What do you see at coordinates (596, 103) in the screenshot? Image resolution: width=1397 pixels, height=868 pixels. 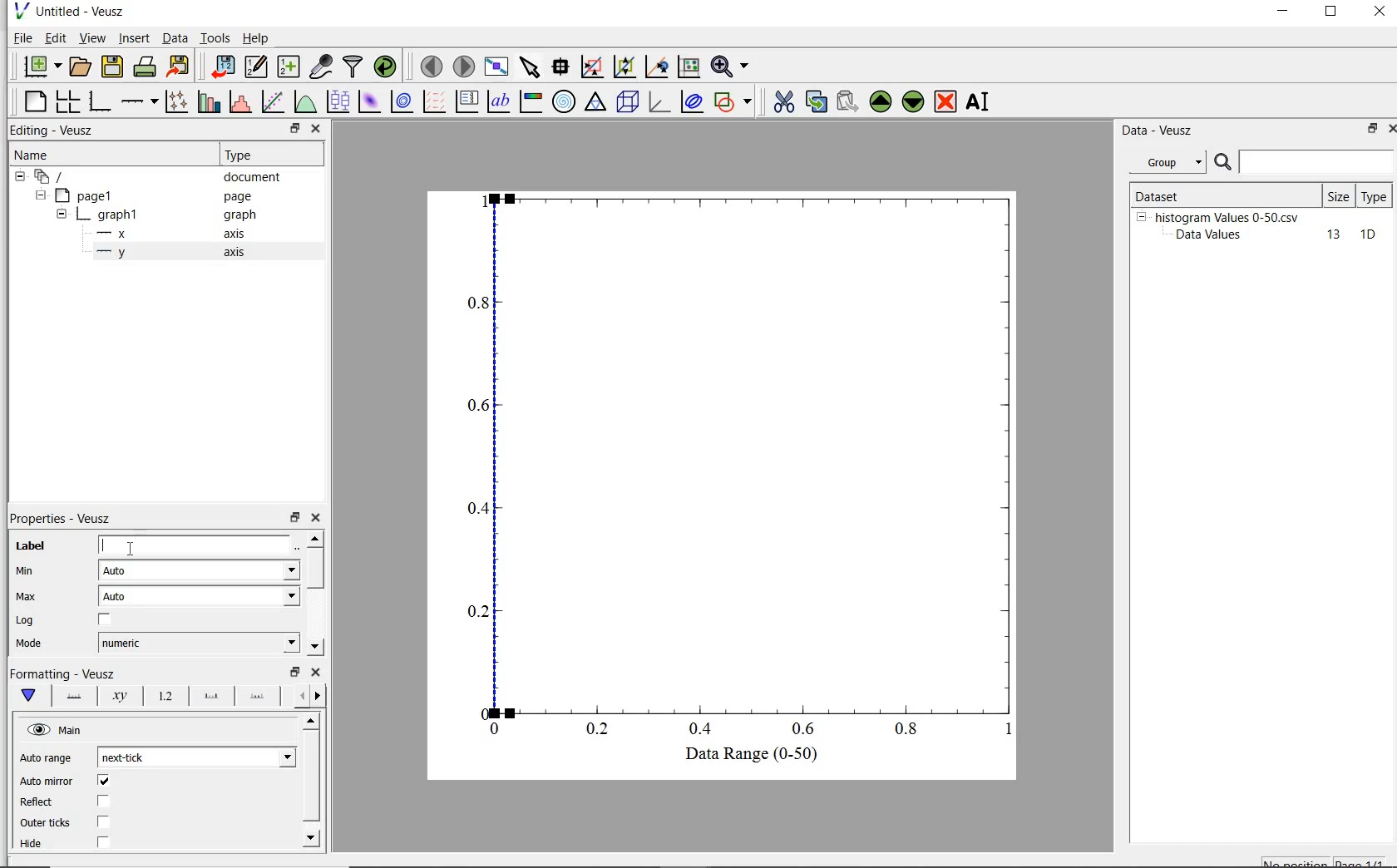 I see `ternary graph` at bounding box center [596, 103].